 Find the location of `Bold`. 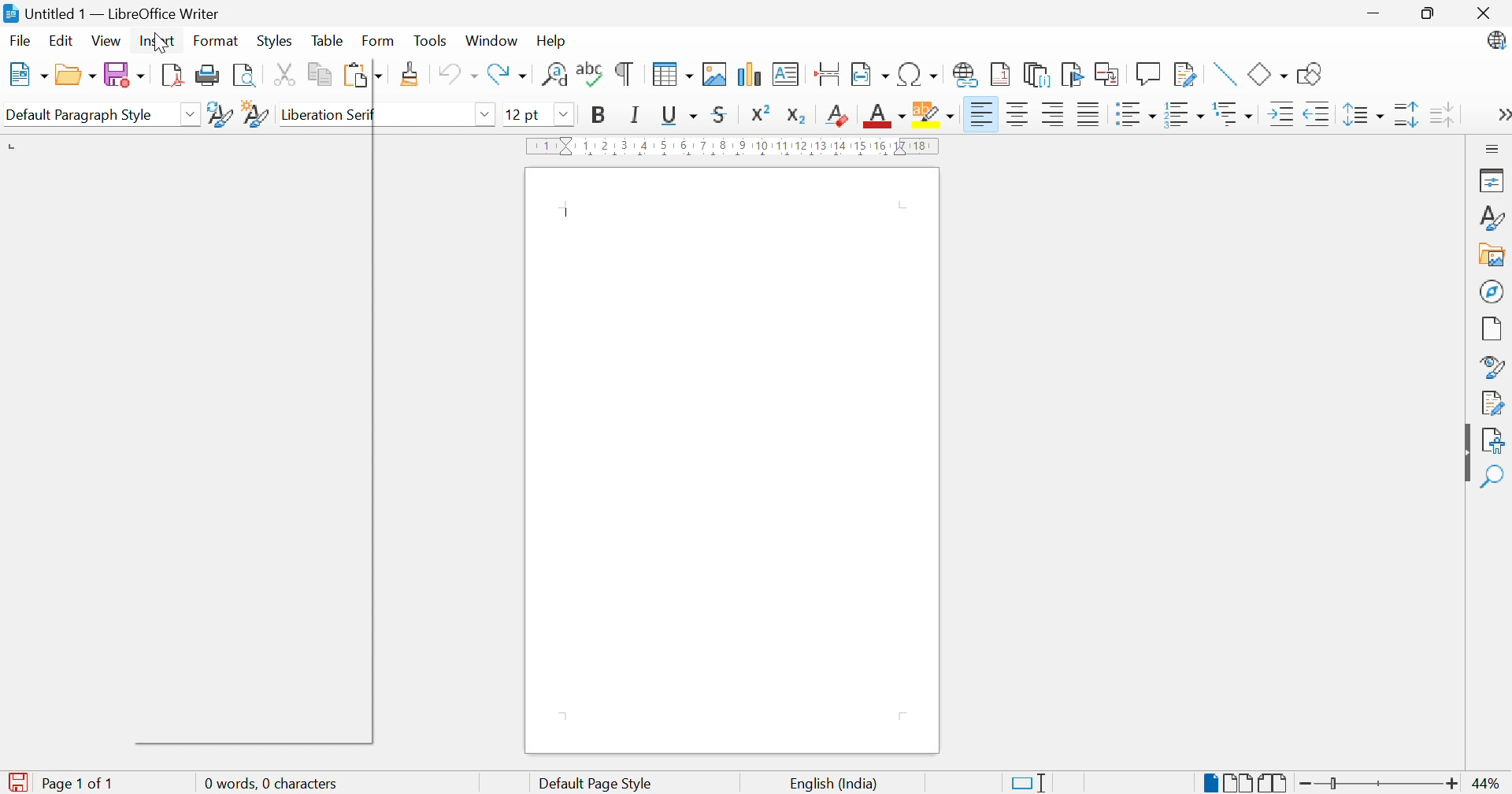

Bold is located at coordinates (601, 116).